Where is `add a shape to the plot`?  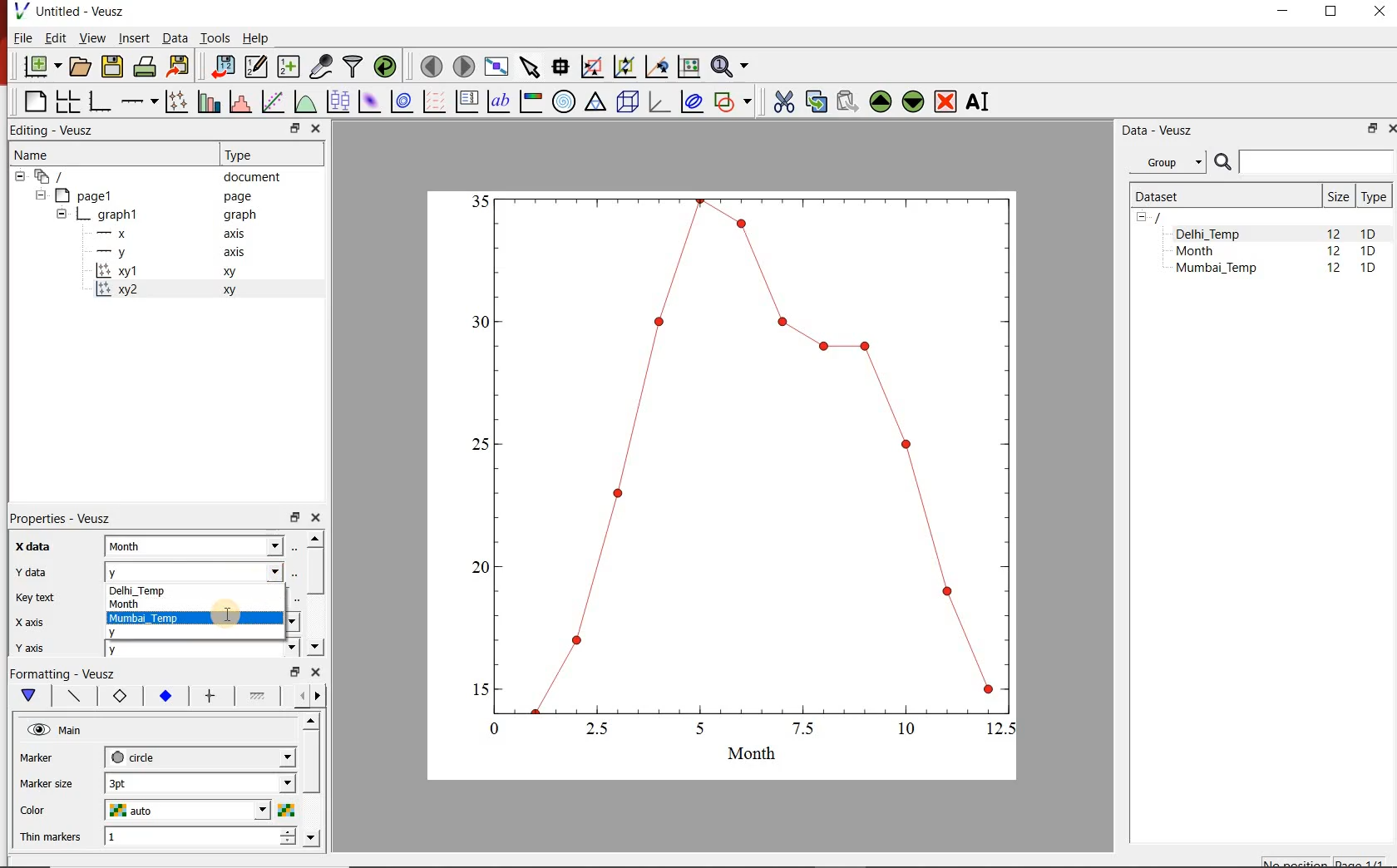 add a shape to the plot is located at coordinates (733, 103).